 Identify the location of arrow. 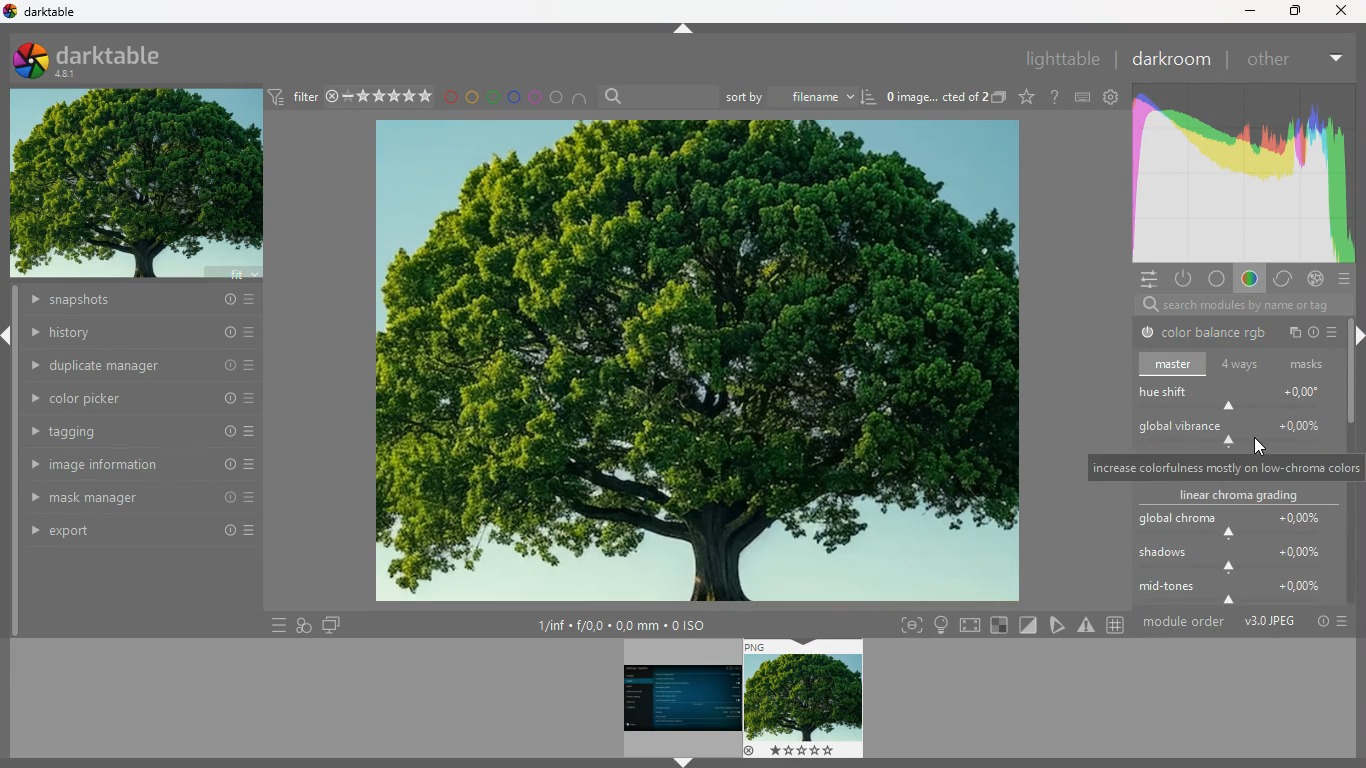
(684, 763).